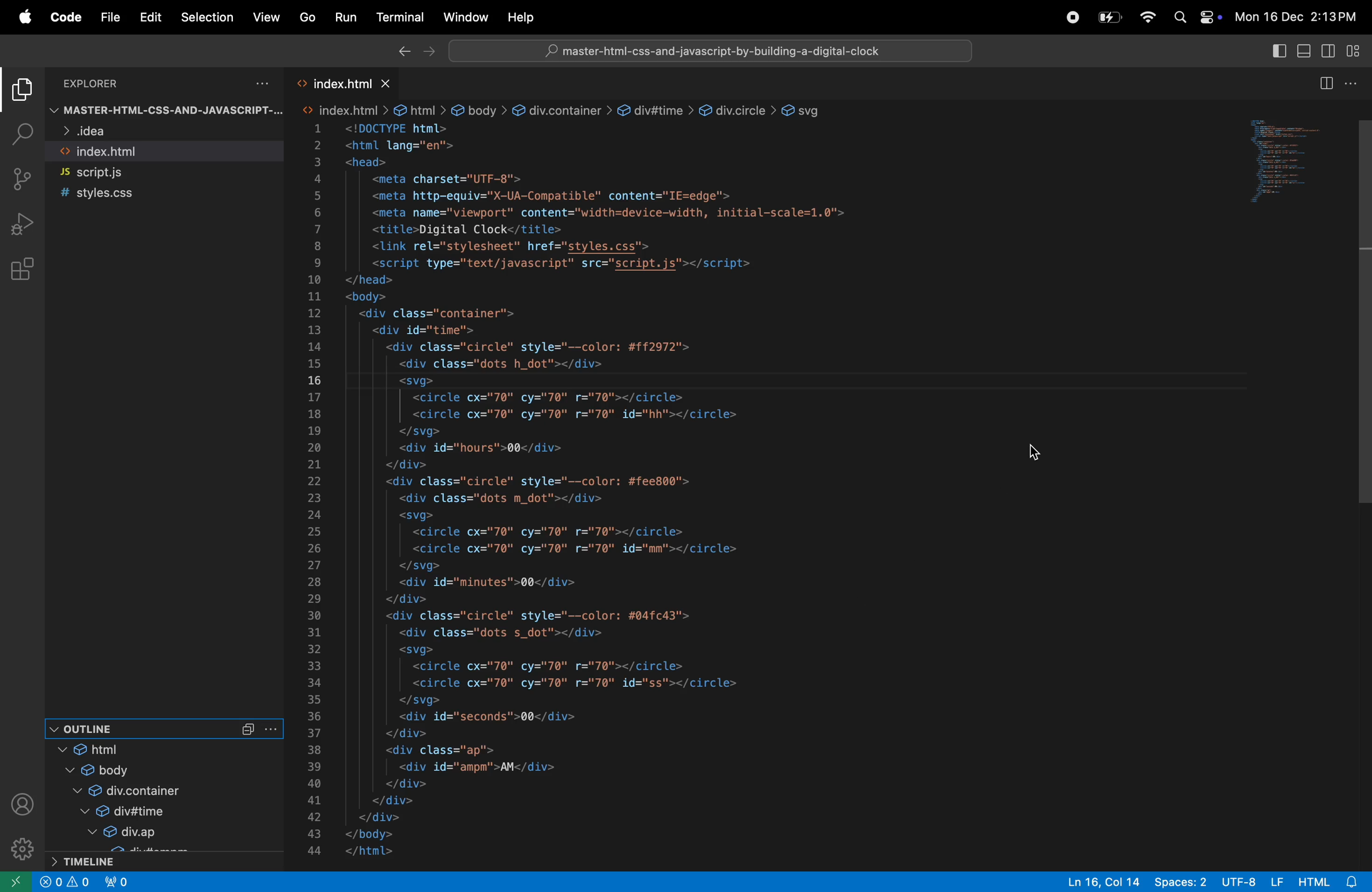  What do you see at coordinates (21, 91) in the screenshot?
I see `explorer` at bounding box center [21, 91].